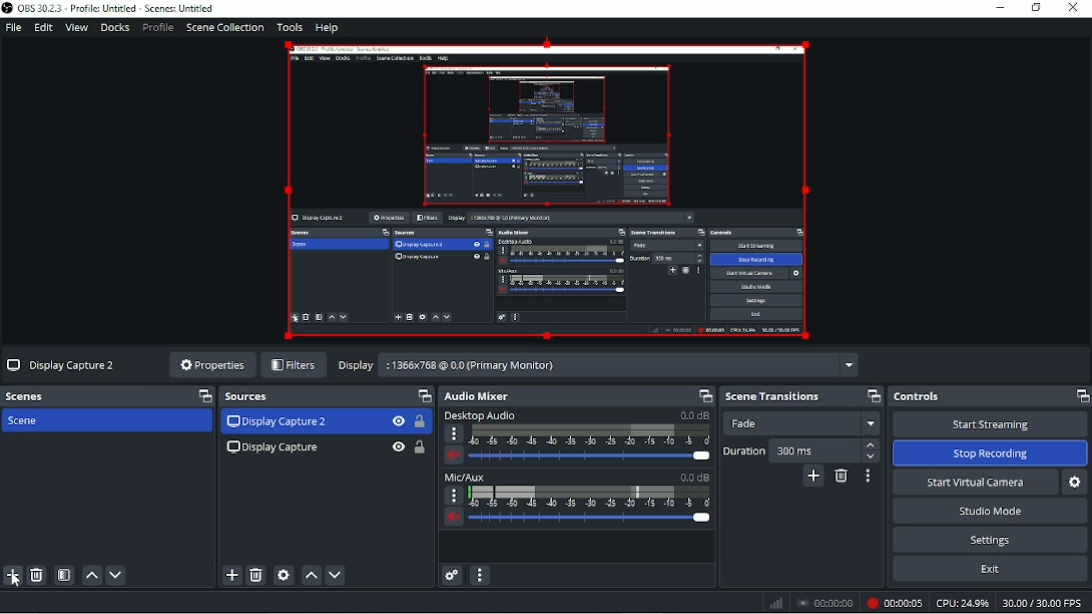 Image resolution: width=1092 pixels, height=614 pixels. What do you see at coordinates (223, 28) in the screenshot?
I see `Scene collection` at bounding box center [223, 28].